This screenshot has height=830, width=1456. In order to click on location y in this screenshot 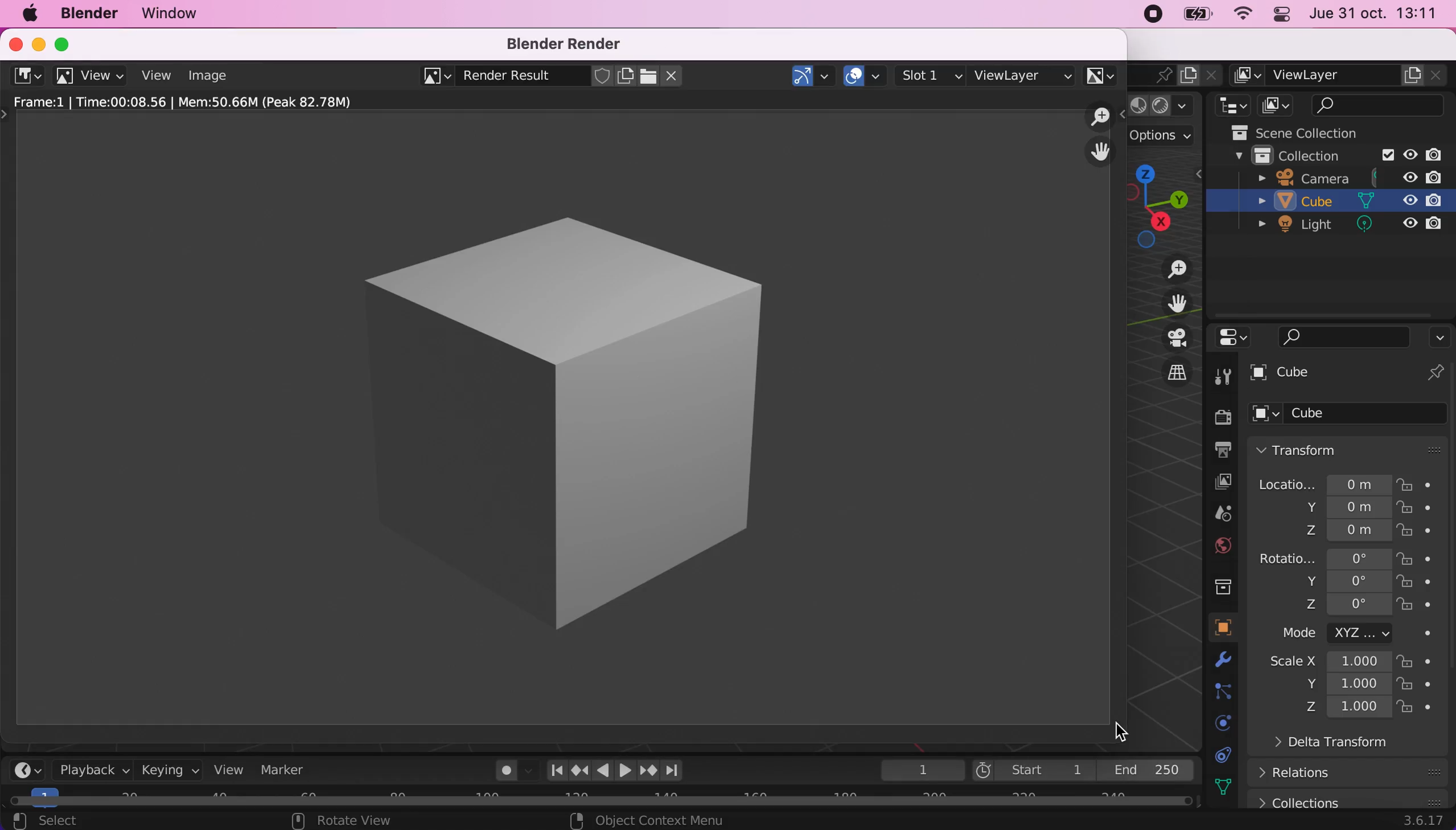, I will do `click(1325, 507)`.